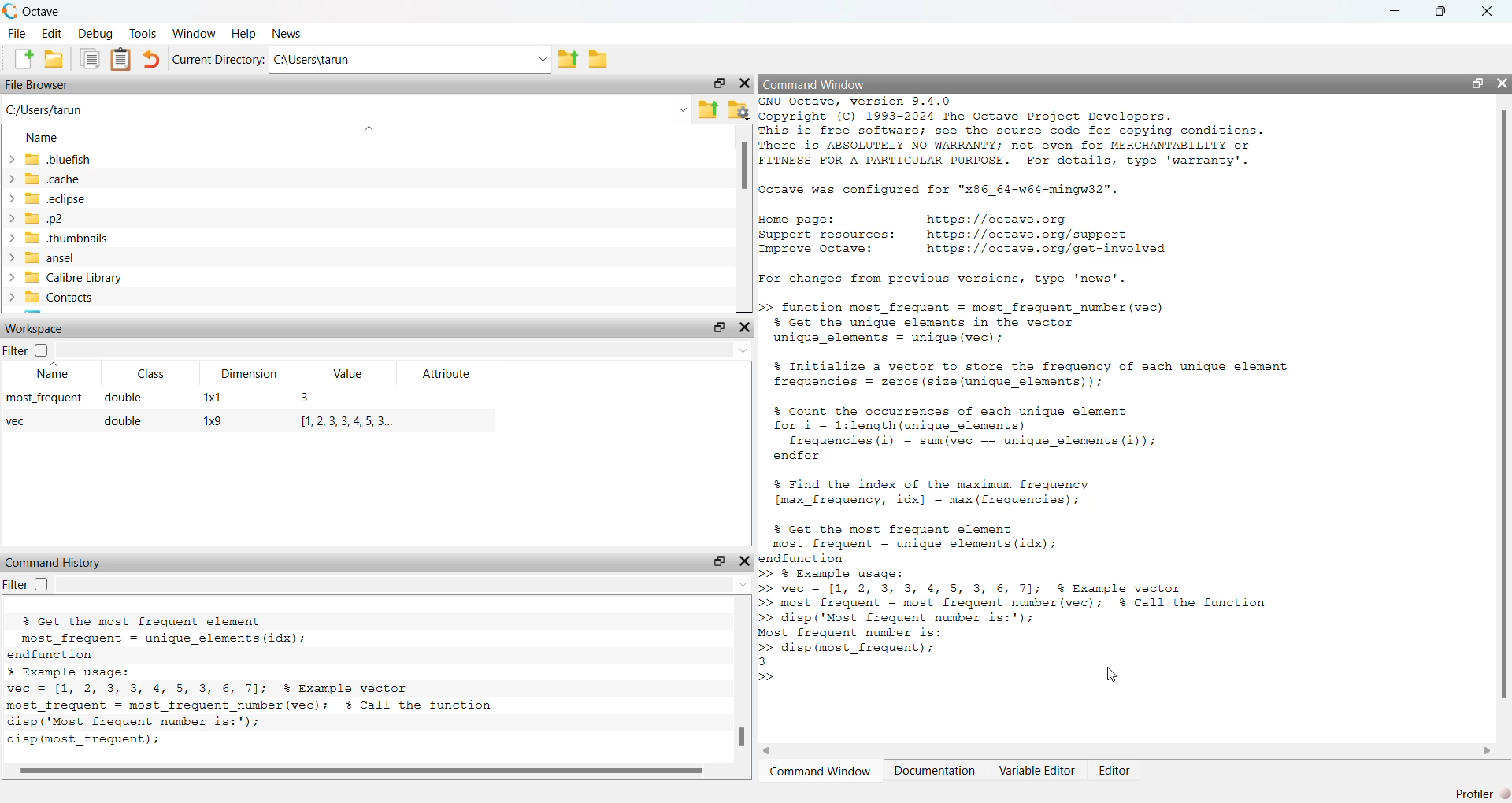 This screenshot has height=803, width=1512. Describe the element at coordinates (215, 420) in the screenshot. I see `1x9` at that location.